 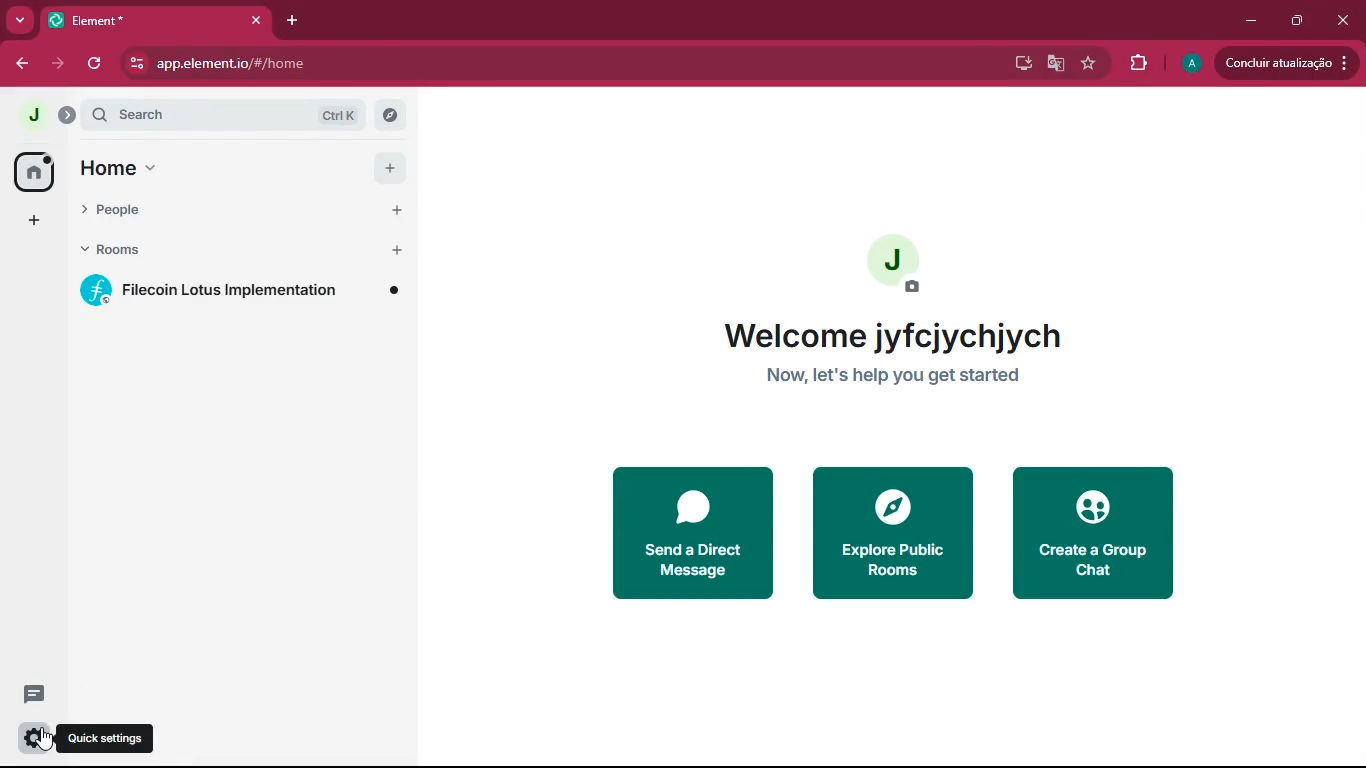 What do you see at coordinates (1093, 63) in the screenshot?
I see `favourite` at bounding box center [1093, 63].